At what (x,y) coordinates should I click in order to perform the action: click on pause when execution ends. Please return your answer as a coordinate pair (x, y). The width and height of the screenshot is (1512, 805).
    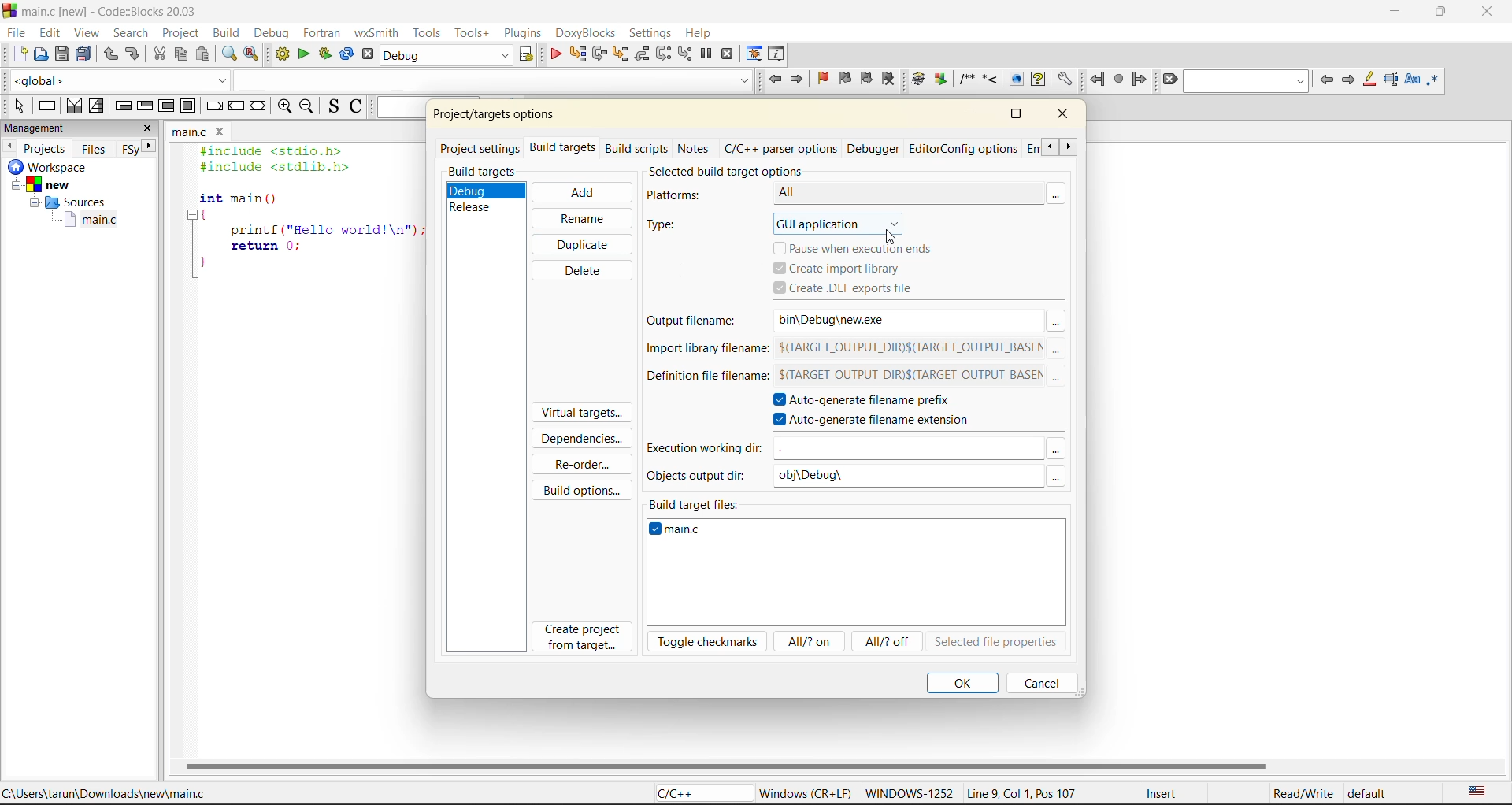
    Looking at the image, I should click on (860, 247).